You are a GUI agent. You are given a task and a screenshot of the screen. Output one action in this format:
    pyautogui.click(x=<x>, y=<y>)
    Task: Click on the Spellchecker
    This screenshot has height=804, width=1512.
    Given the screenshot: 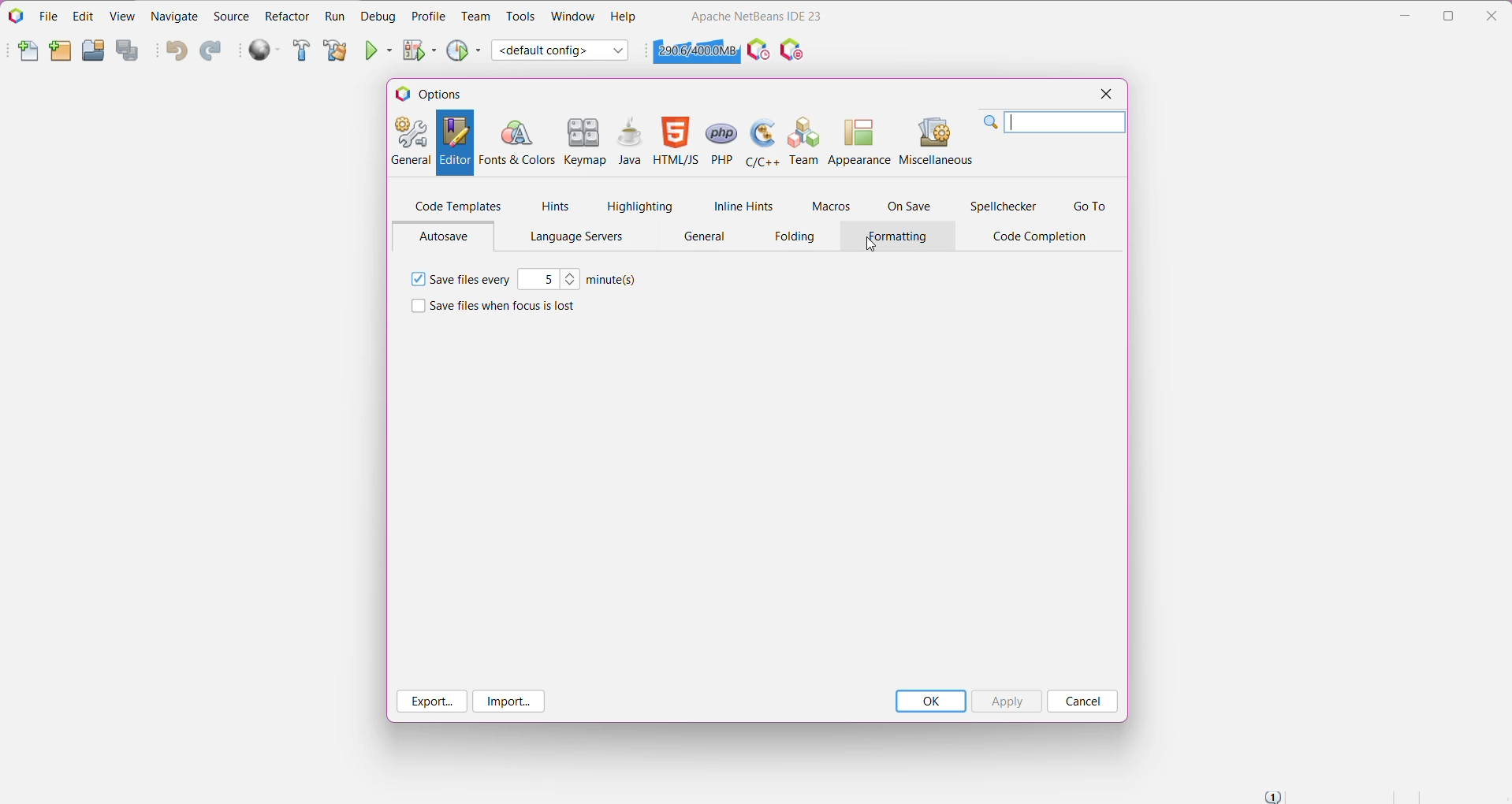 What is the action you would take?
    pyautogui.click(x=1005, y=207)
    